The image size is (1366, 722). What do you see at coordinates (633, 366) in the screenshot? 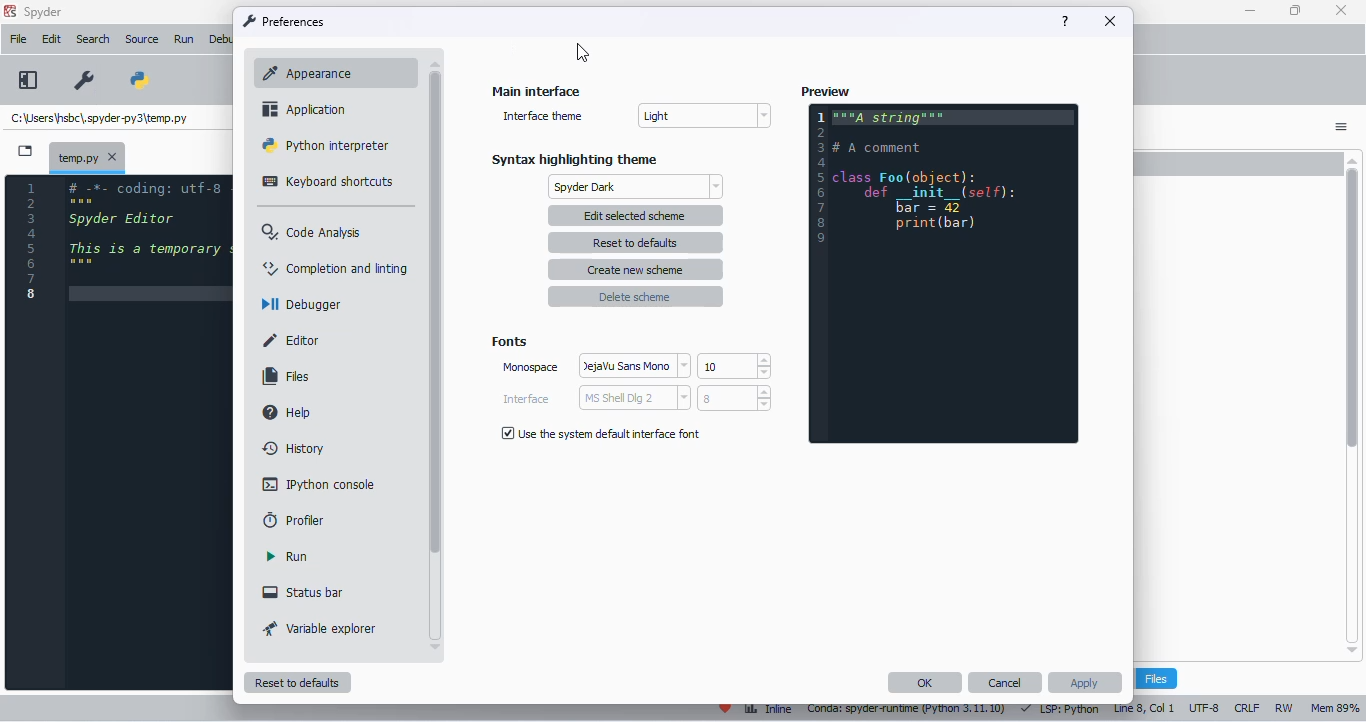
I see `DejaVu Sans Mono` at bounding box center [633, 366].